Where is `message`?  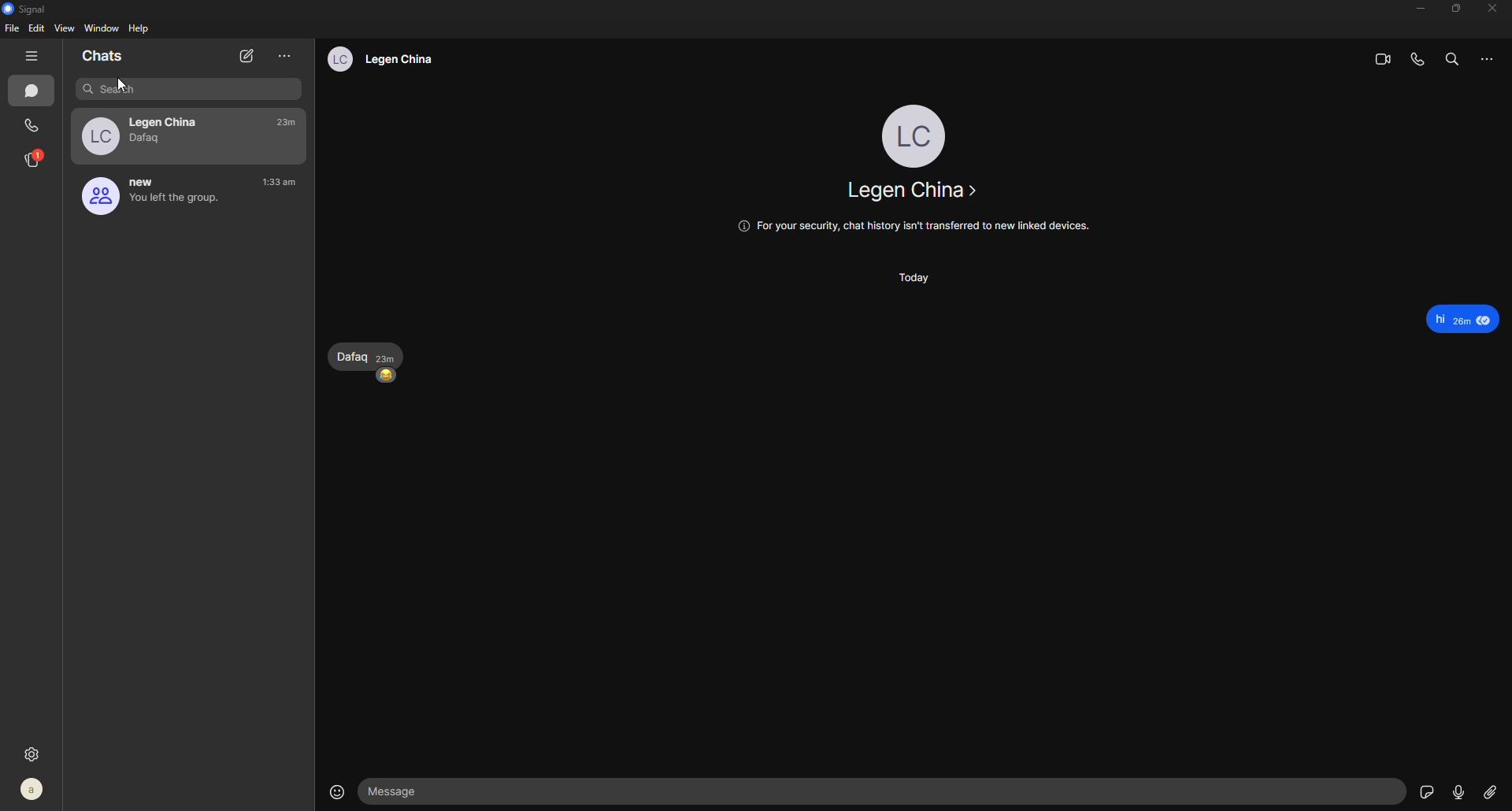
message is located at coordinates (885, 791).